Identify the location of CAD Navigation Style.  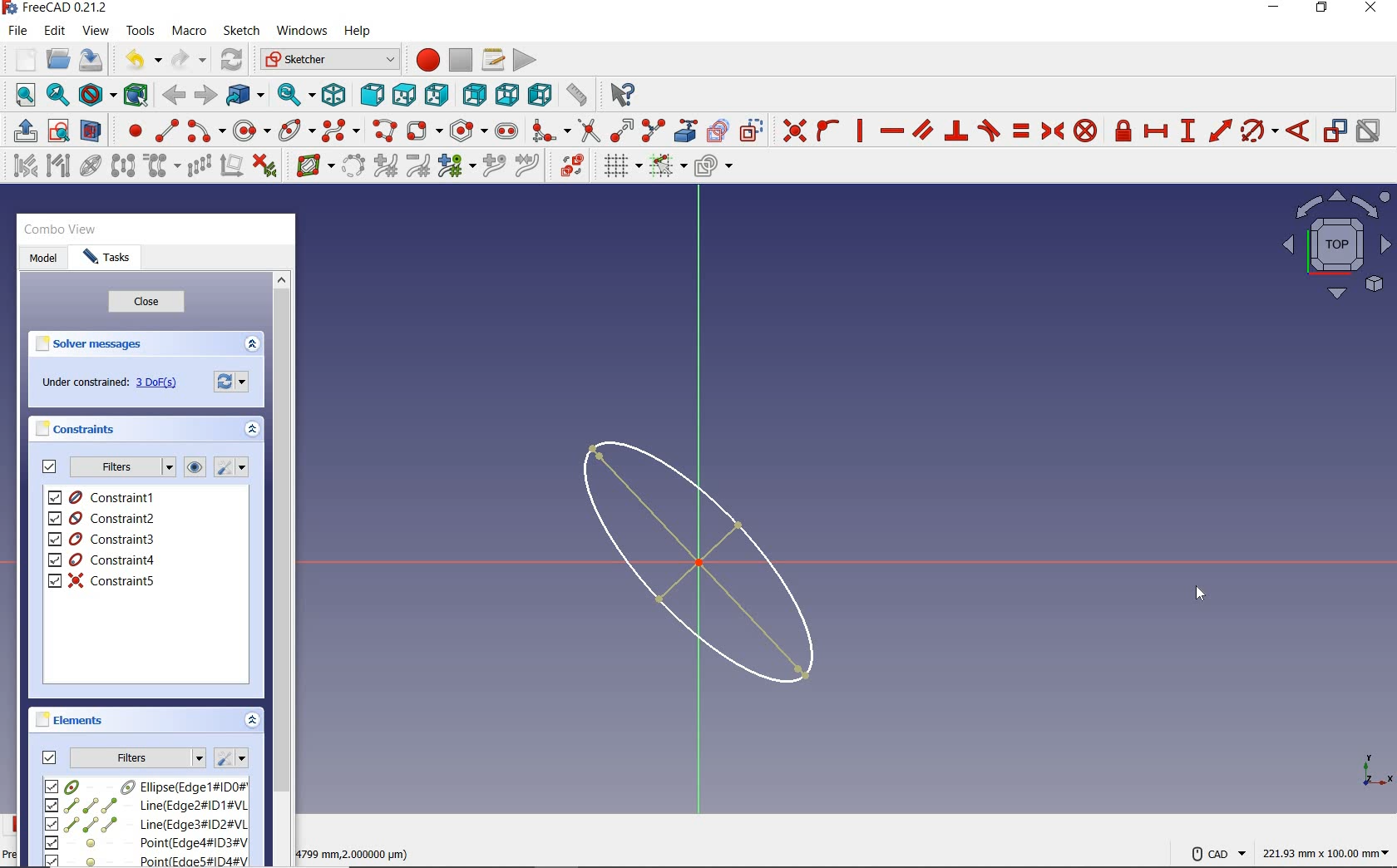
(1214, 851).